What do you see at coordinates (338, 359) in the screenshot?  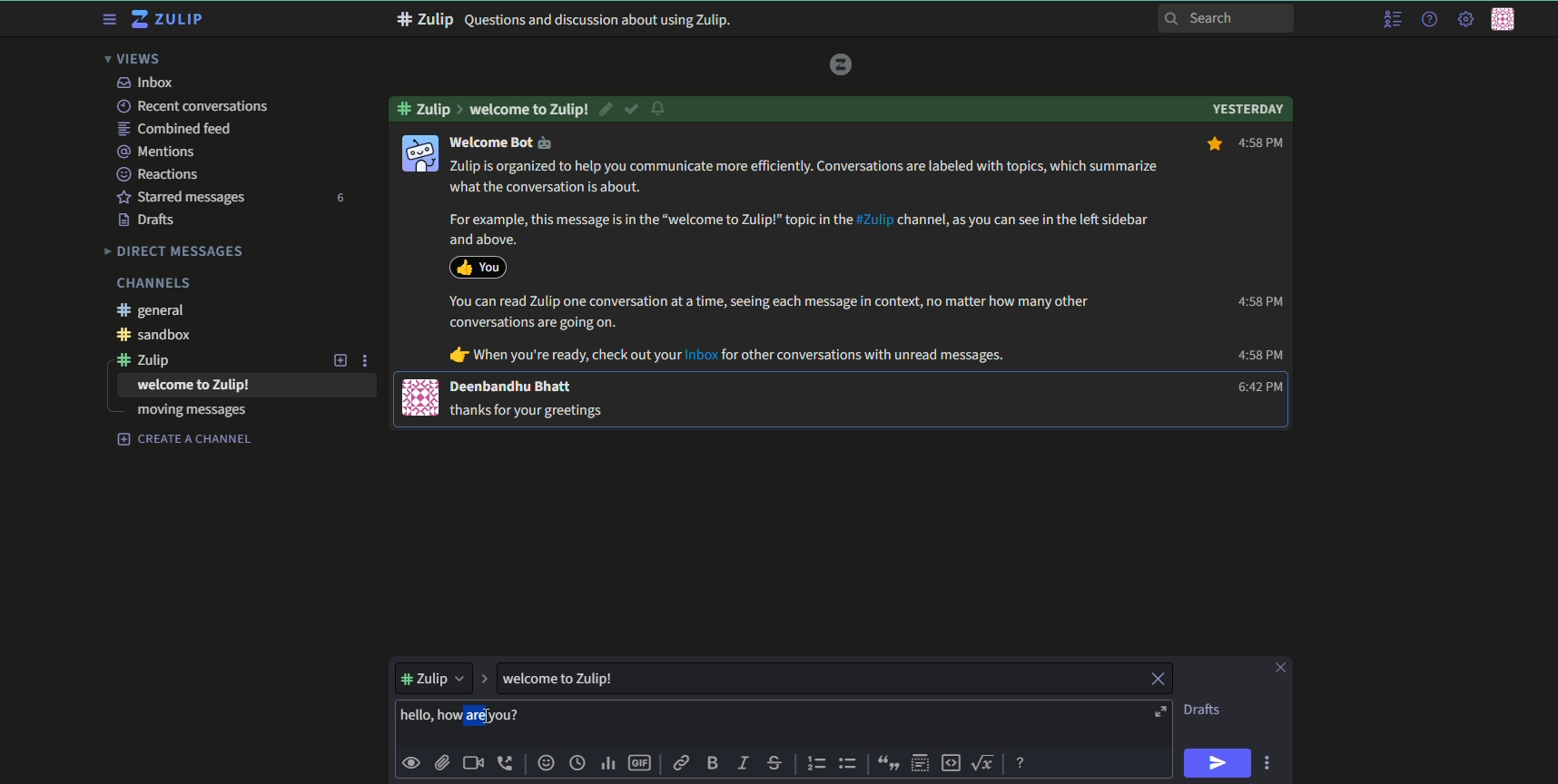 I see `add` at bounding box center [338, 359].